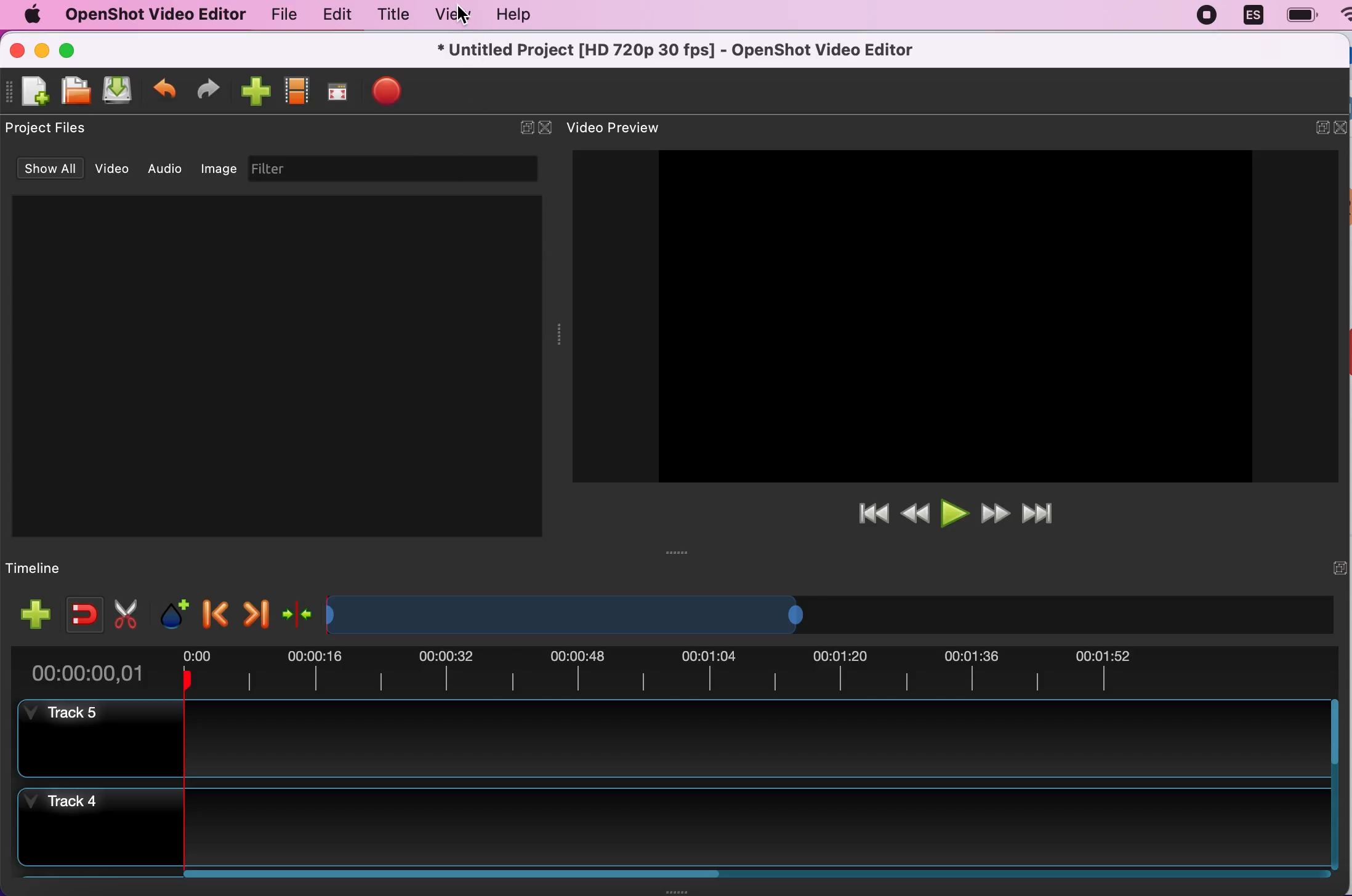 This screenshot has height=896, width=1352. What do you see at coordinates (43, 52) in the screenshot?
I see `minimize` at bounding box center [43, 52].